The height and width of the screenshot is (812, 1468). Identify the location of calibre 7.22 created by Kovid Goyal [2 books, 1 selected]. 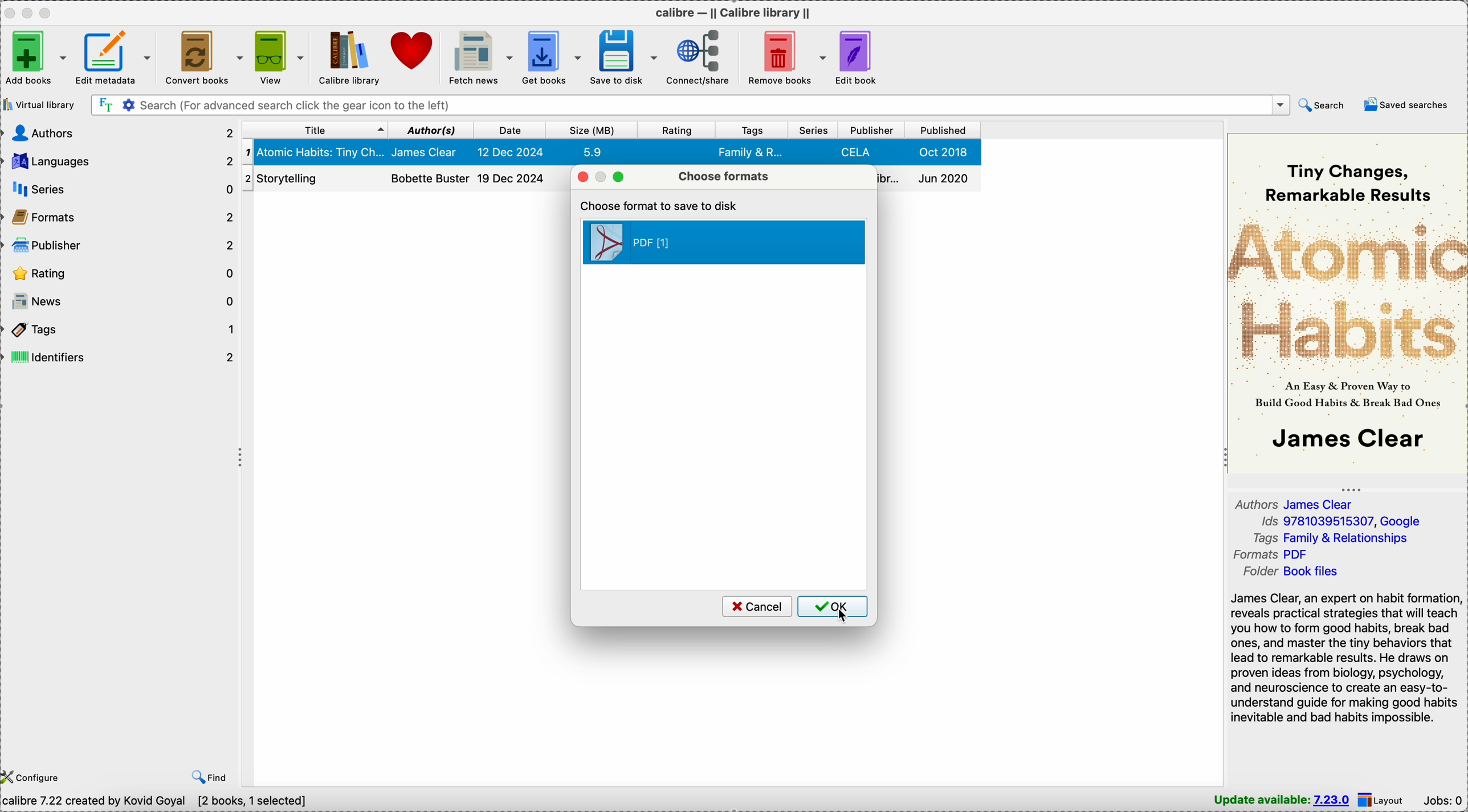
(154, 802).